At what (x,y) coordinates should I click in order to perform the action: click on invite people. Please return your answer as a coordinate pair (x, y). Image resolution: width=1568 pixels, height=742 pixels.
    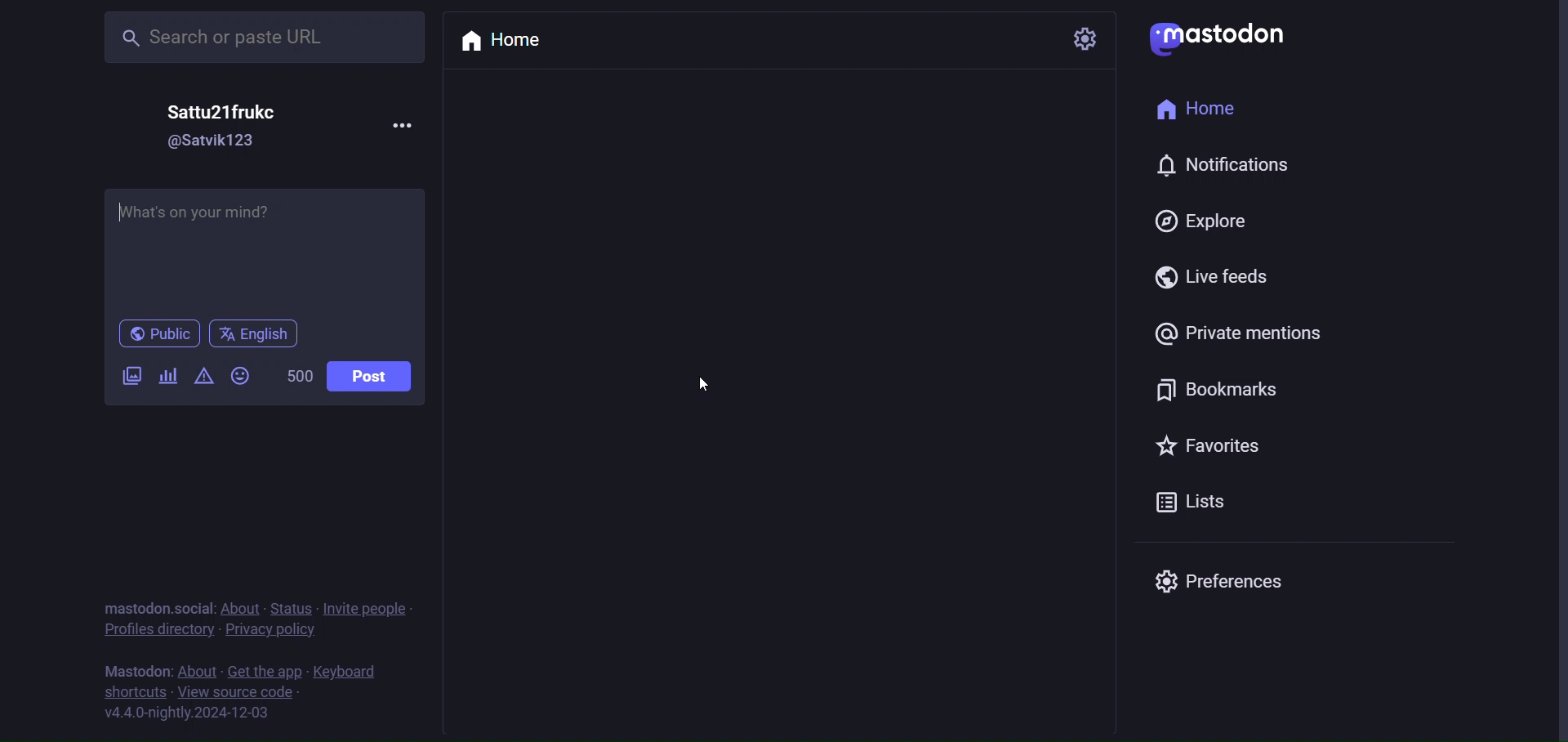
    Looking at the image, I should click on (369, 606).